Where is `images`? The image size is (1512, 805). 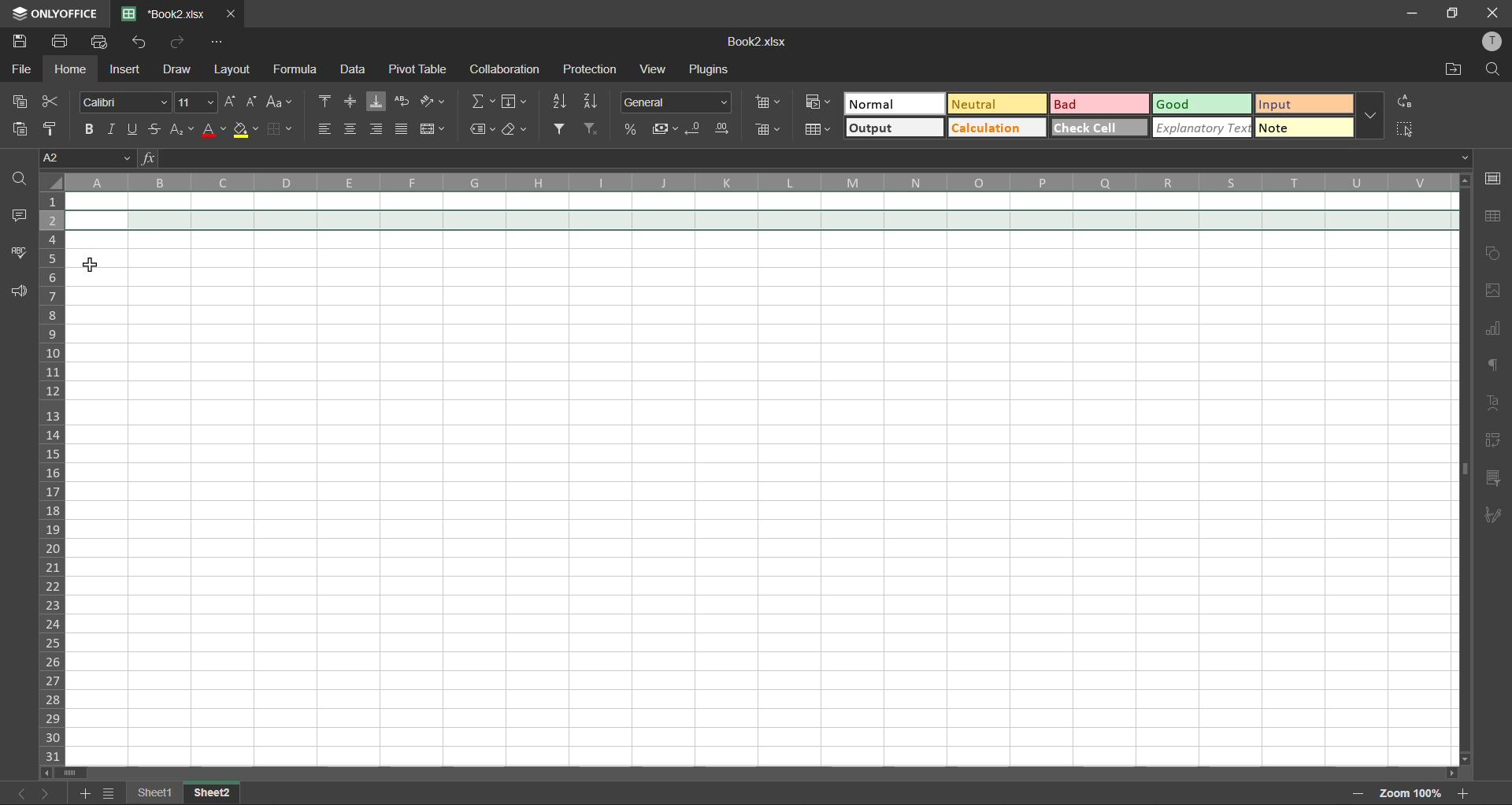 images is located at coordinates (1488, 291).